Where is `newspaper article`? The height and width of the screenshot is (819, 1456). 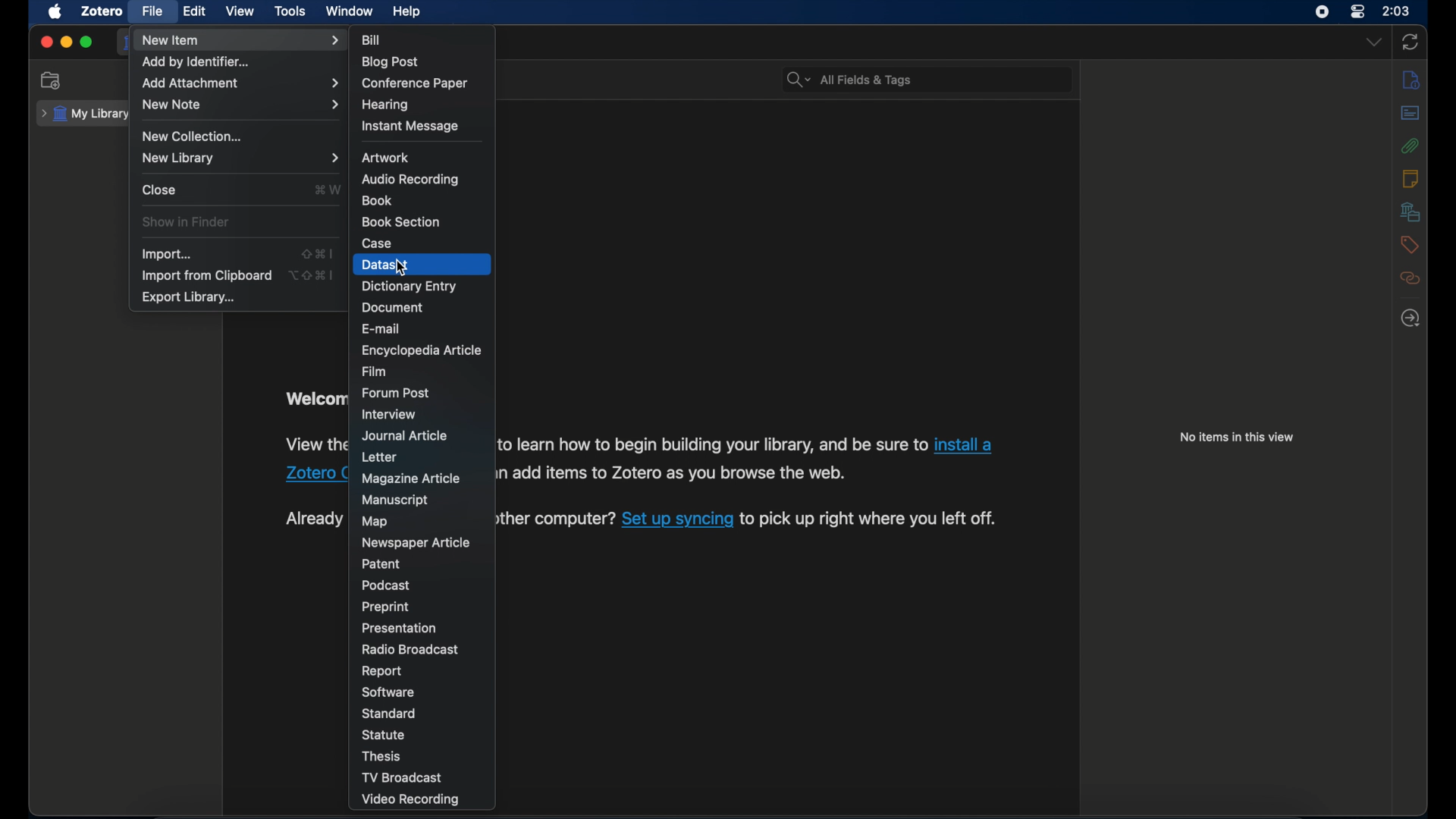
newspaper article is located at coordinates (417, 544).